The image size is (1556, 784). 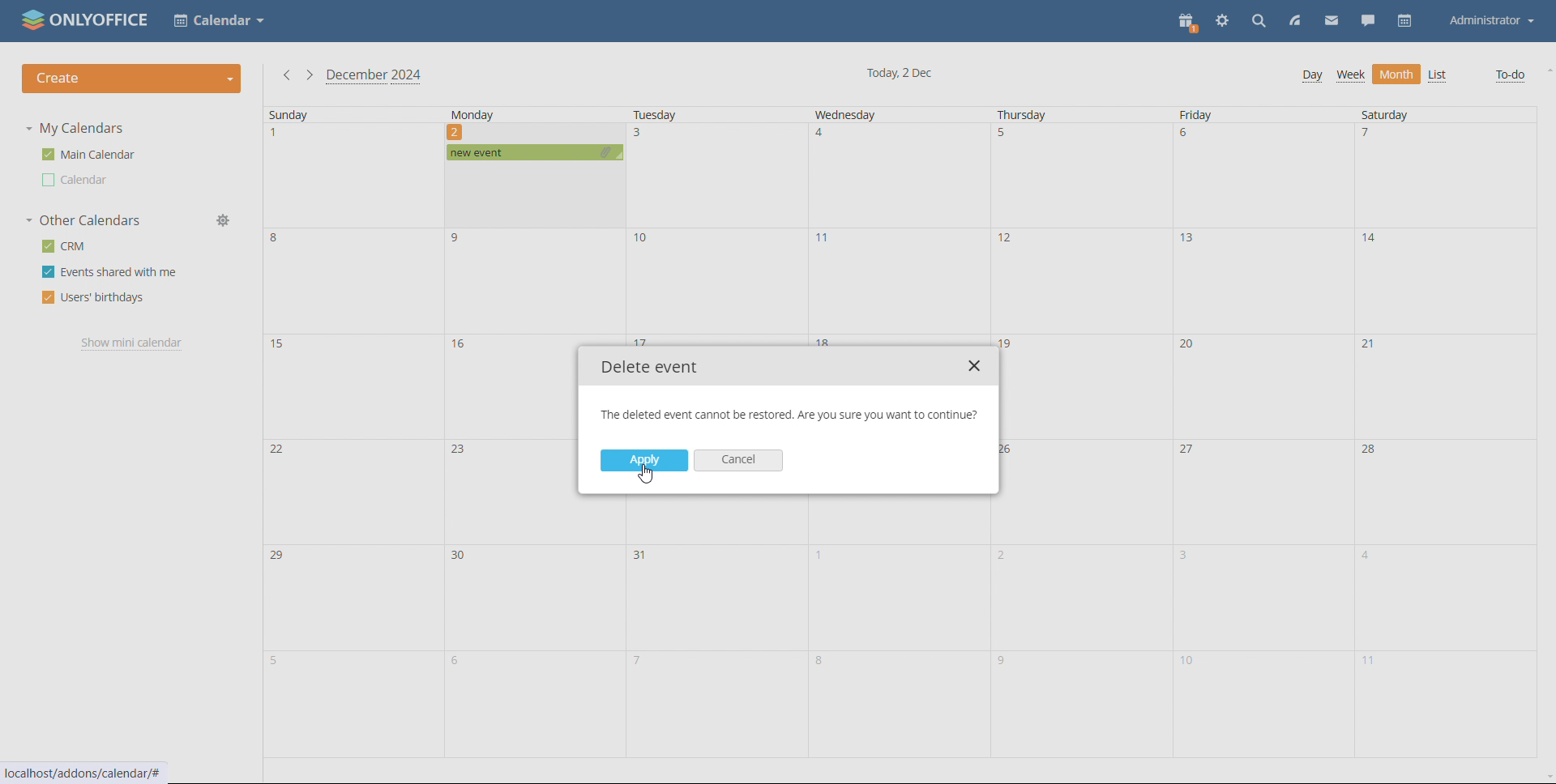 I want to click on 23, so click(x=461, y=453).